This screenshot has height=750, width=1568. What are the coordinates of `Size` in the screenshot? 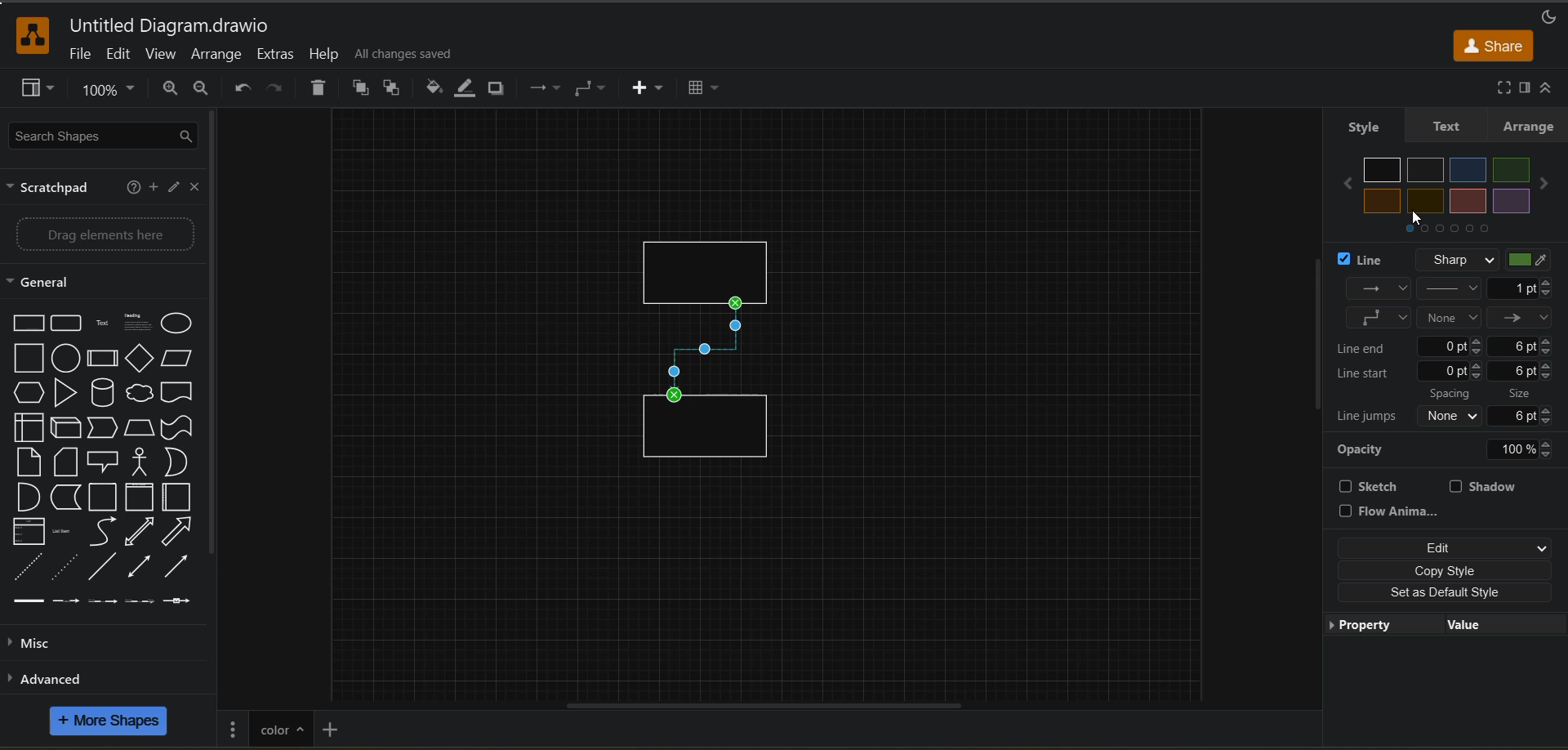 It's located at (1526, 392).